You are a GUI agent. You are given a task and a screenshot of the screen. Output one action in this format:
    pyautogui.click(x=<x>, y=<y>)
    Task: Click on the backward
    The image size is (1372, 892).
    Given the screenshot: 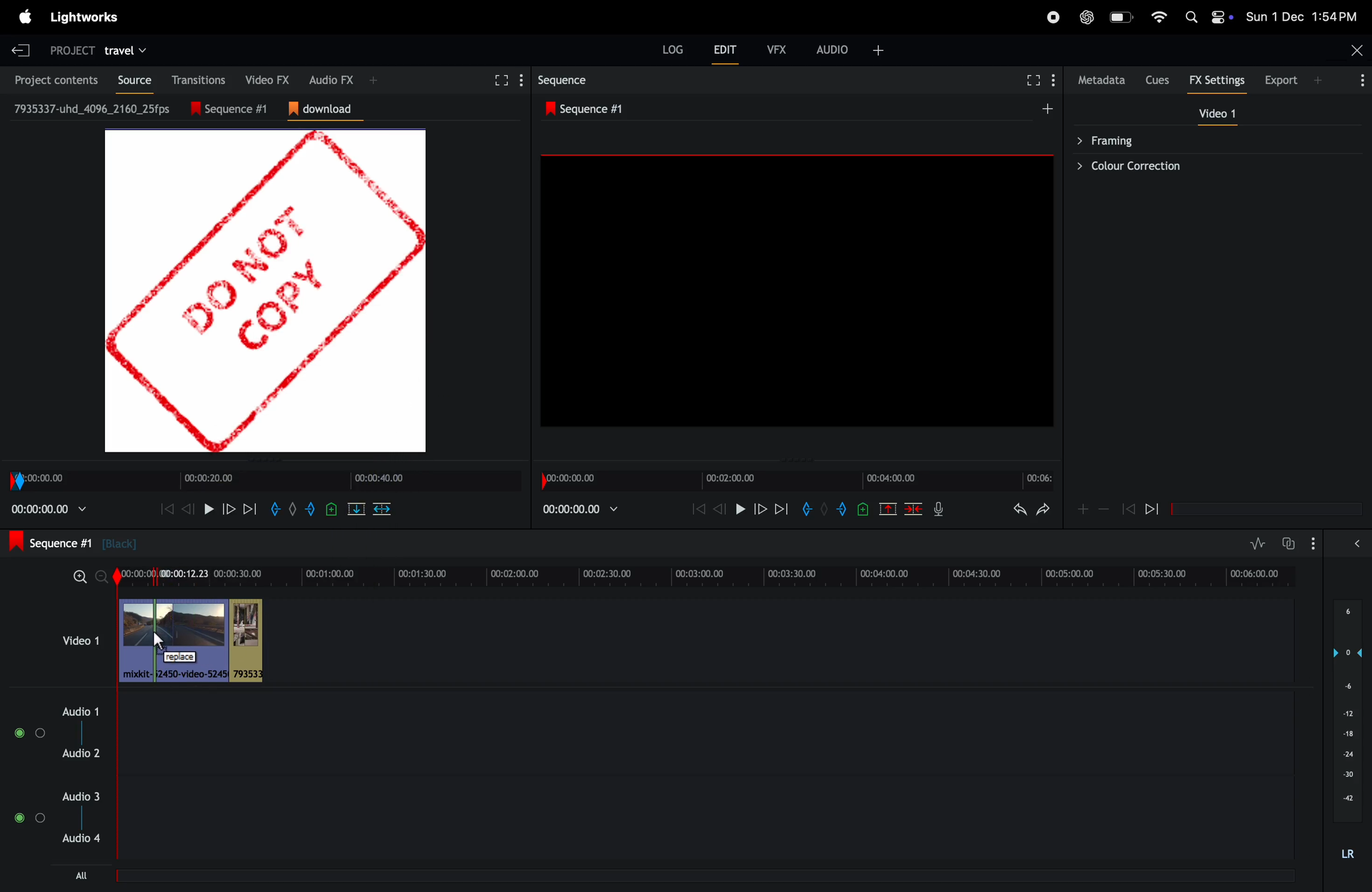 What is the action you would take?
    pyautogui.click(x=1128, y=508)
    